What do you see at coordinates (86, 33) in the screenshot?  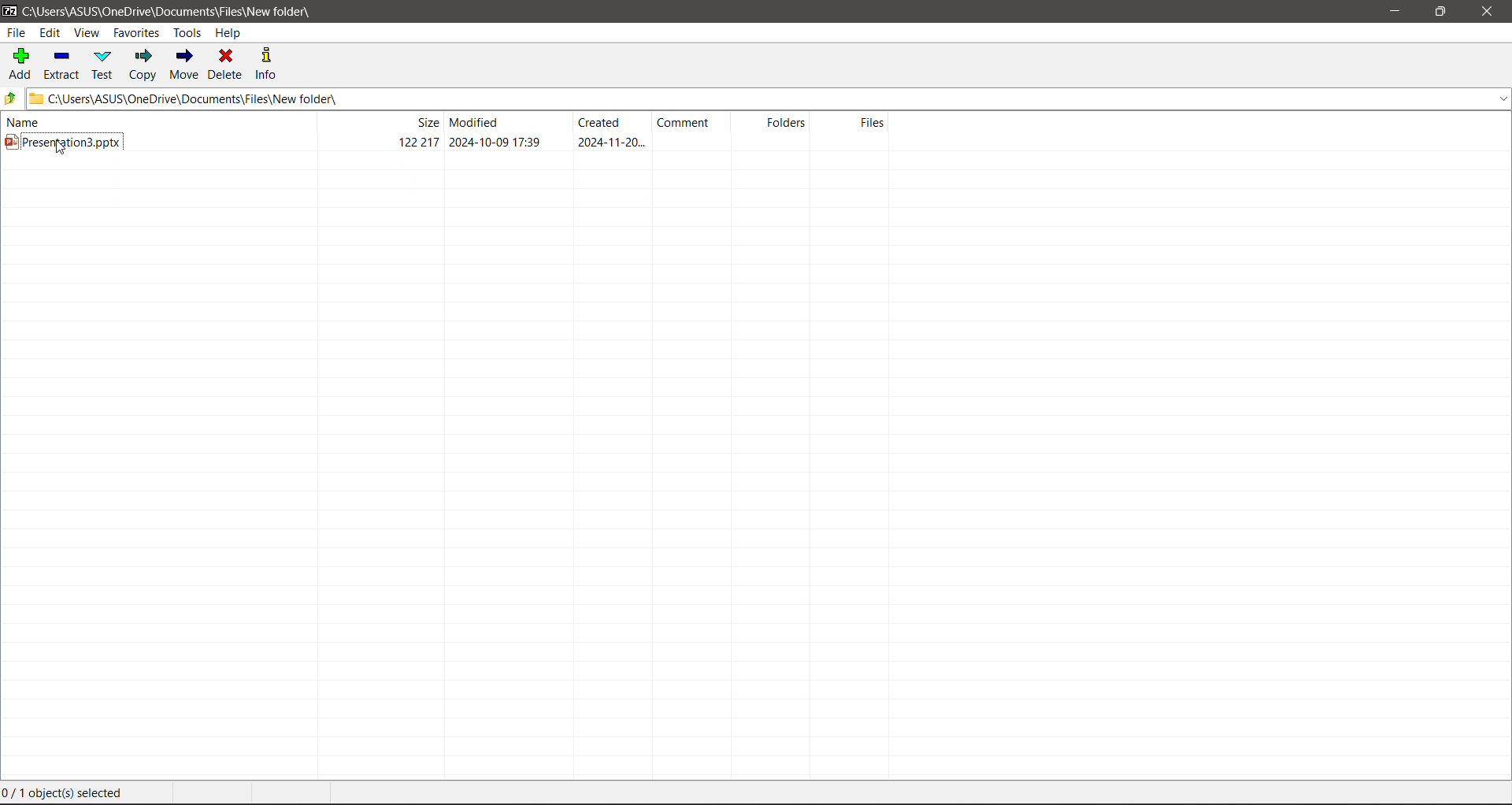 I see `View` at bounding box center [86, 33].